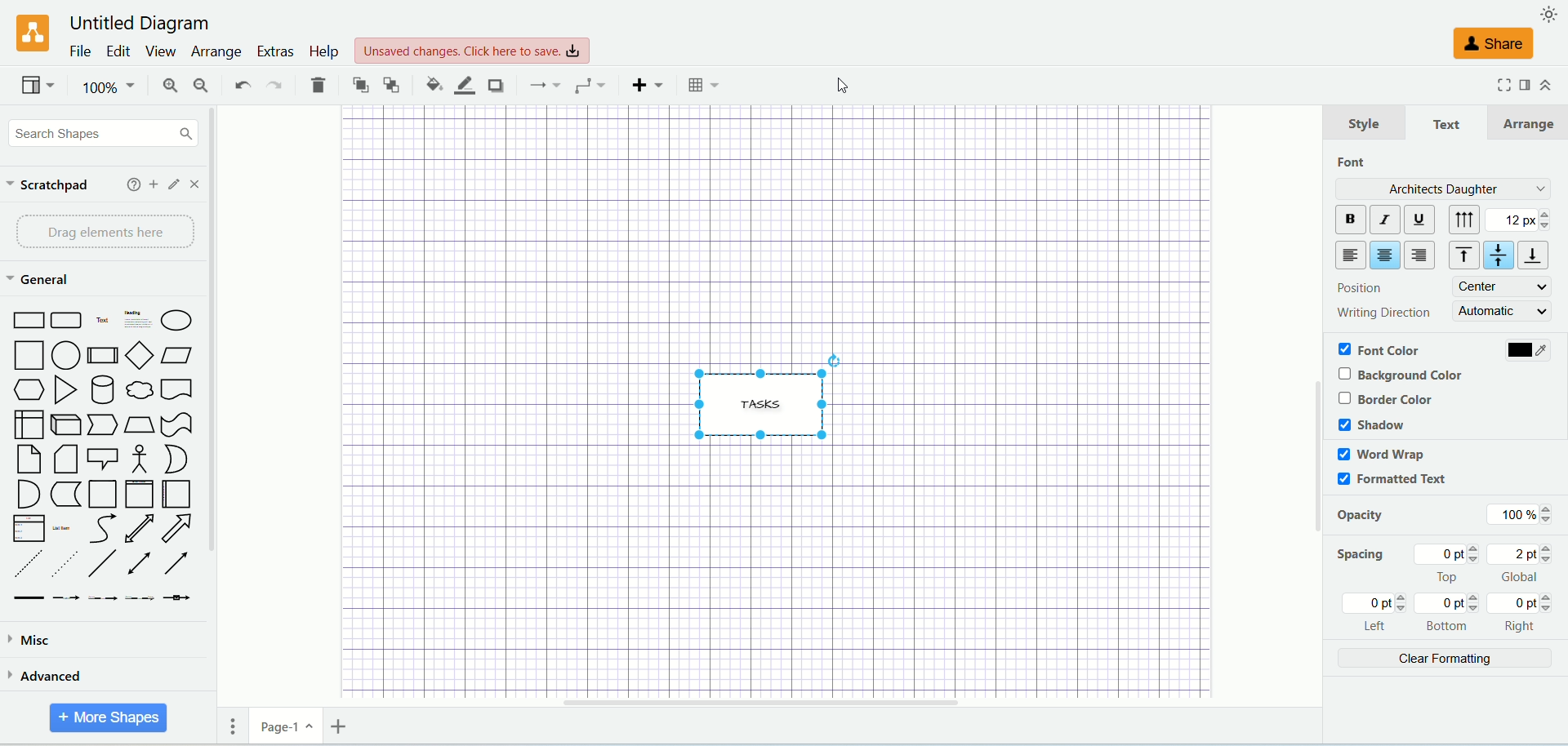  Describe the element at coordinates (1361, 557) in the screenshot. I see `spacing` at that location.